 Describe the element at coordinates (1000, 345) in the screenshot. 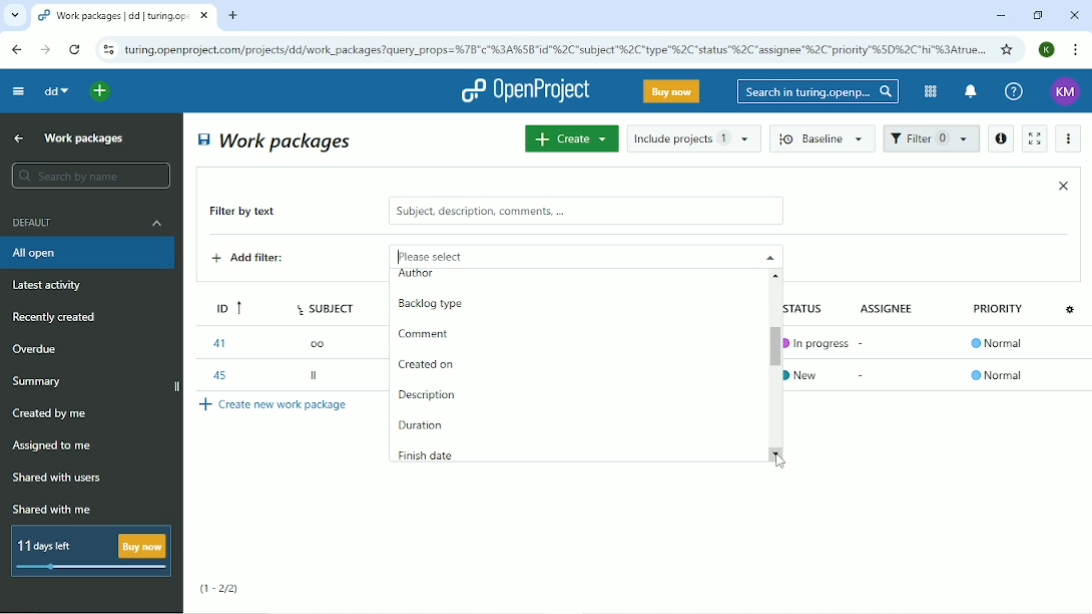

I see `Normal` at that location.